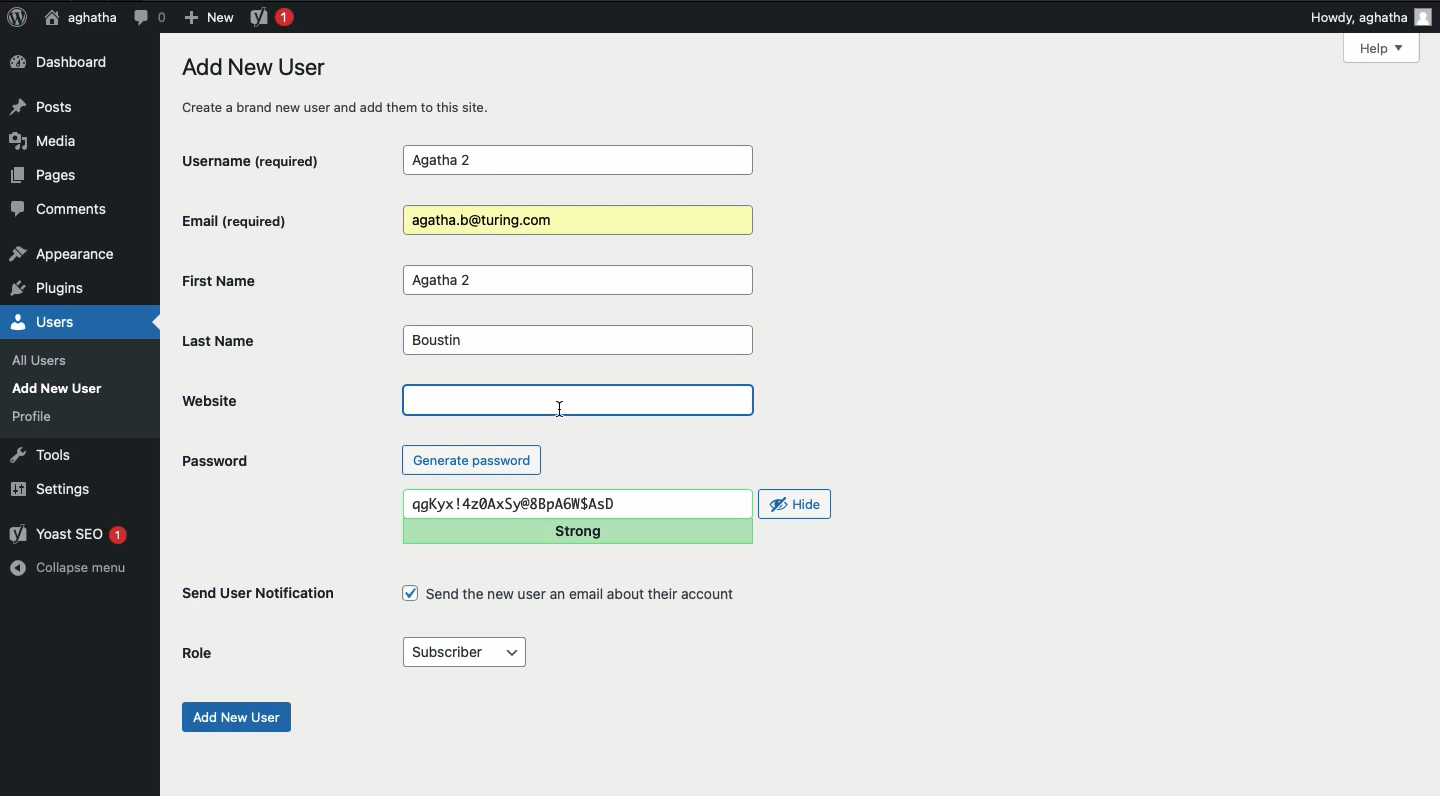 This screenshot has width=1440, height=796. What do you see at coordinates (77, 17) in the screenshot?
I see `aghatha` at bounding box center [77, 17].